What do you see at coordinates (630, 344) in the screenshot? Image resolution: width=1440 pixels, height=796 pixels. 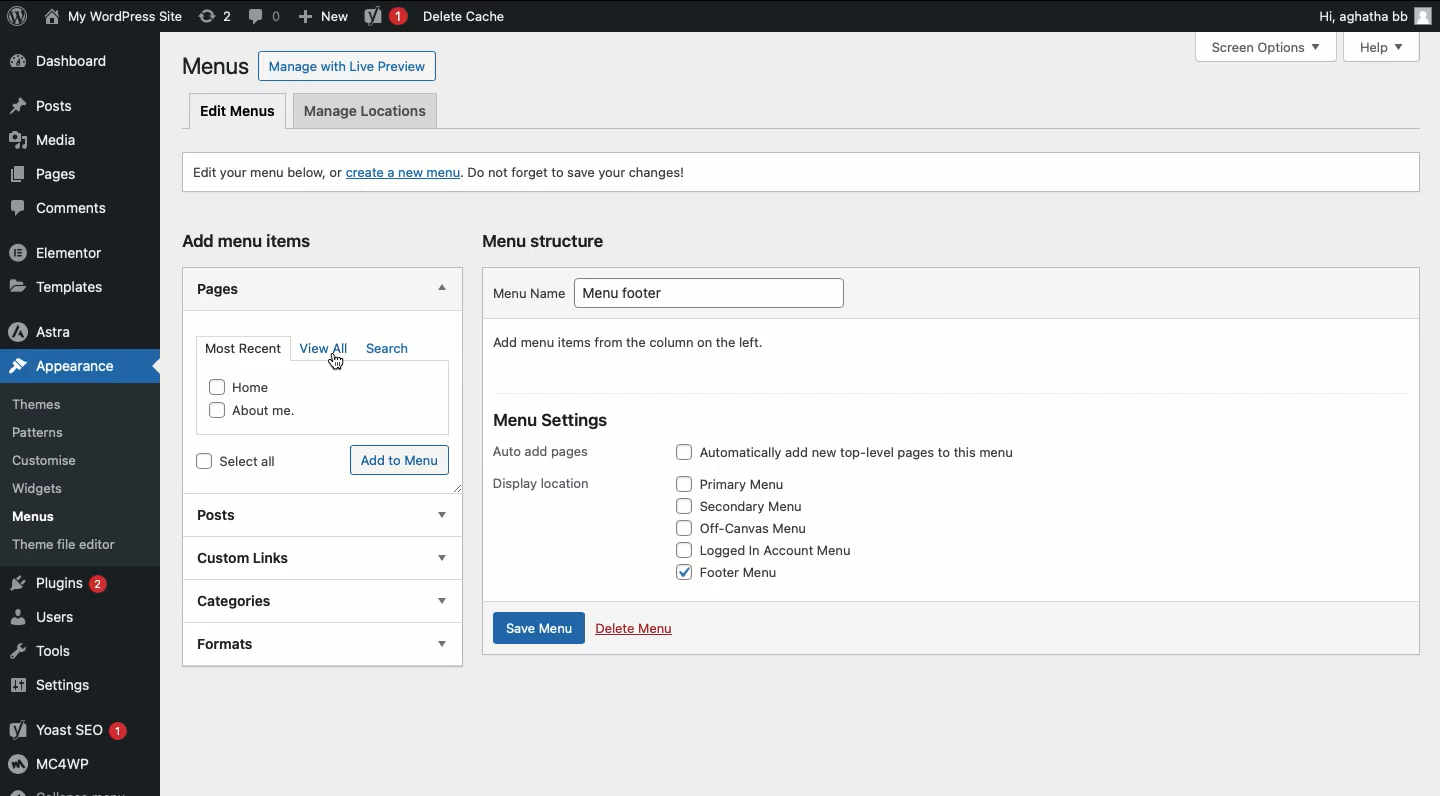 I see `Add menu items from the column on the left` at bounding box center [630, 344].